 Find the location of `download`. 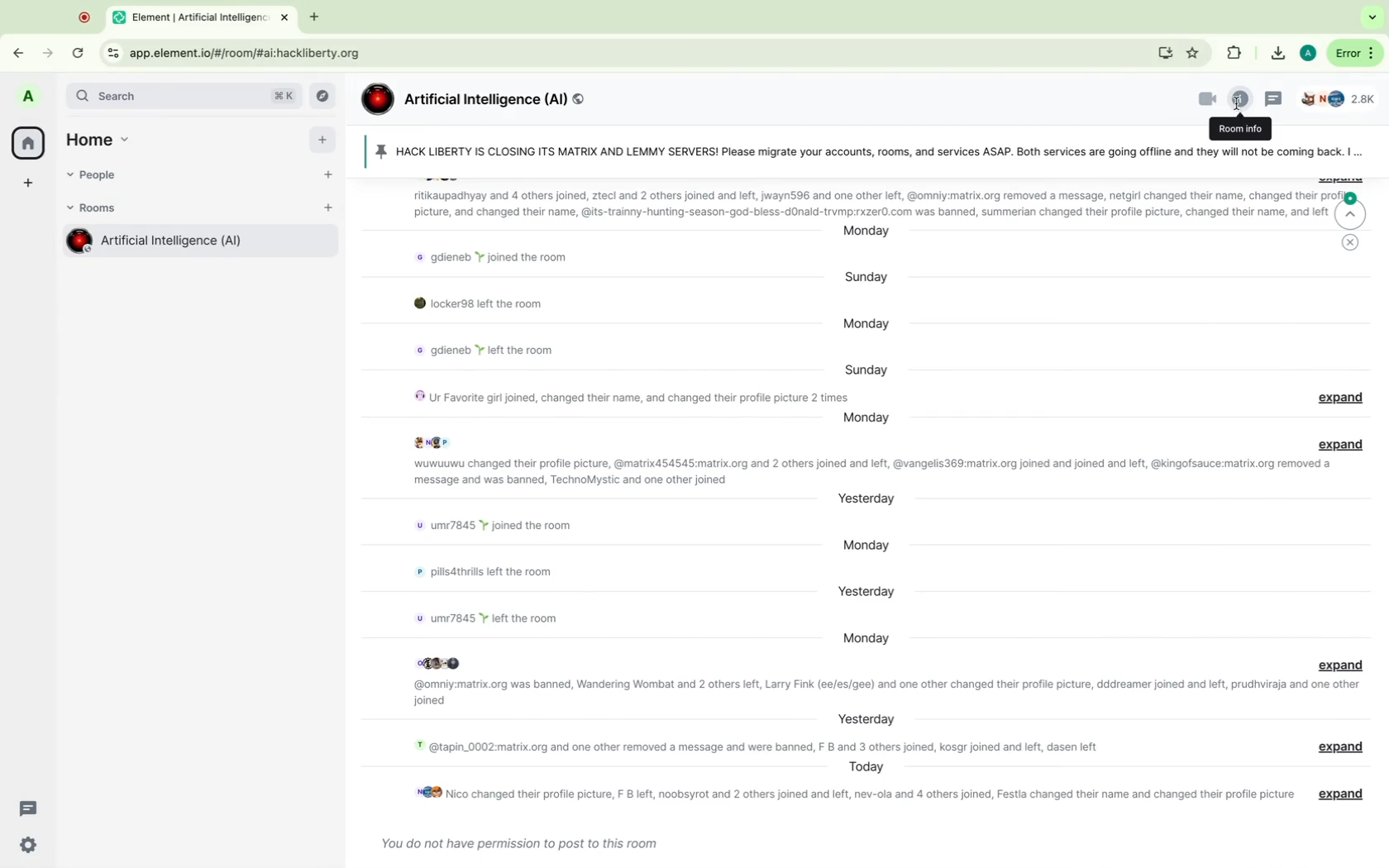

download is located at coordinates (1276, 54).